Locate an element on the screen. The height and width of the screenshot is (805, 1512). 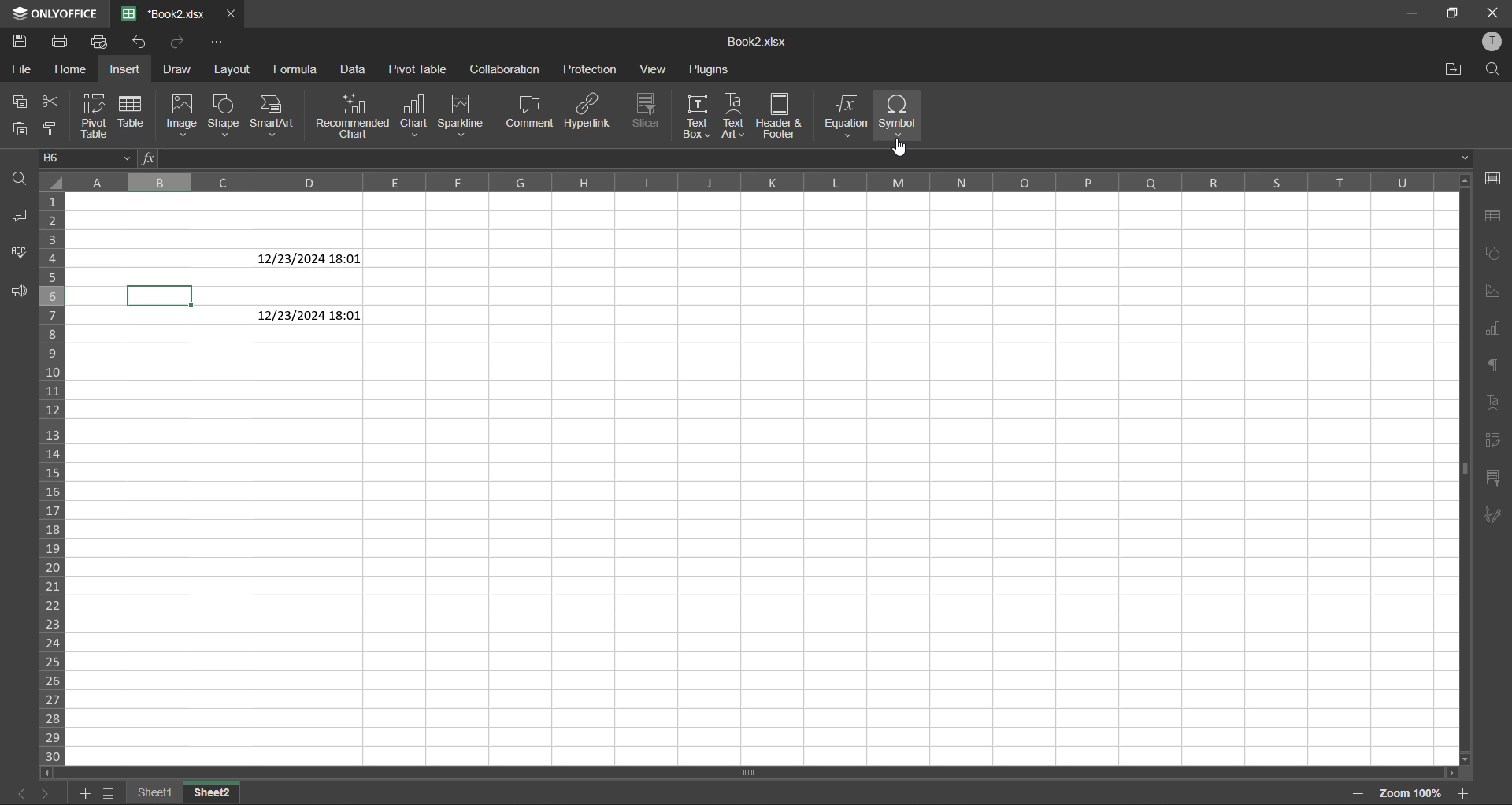
column names in alphabets is located at coordinates (755, 184).